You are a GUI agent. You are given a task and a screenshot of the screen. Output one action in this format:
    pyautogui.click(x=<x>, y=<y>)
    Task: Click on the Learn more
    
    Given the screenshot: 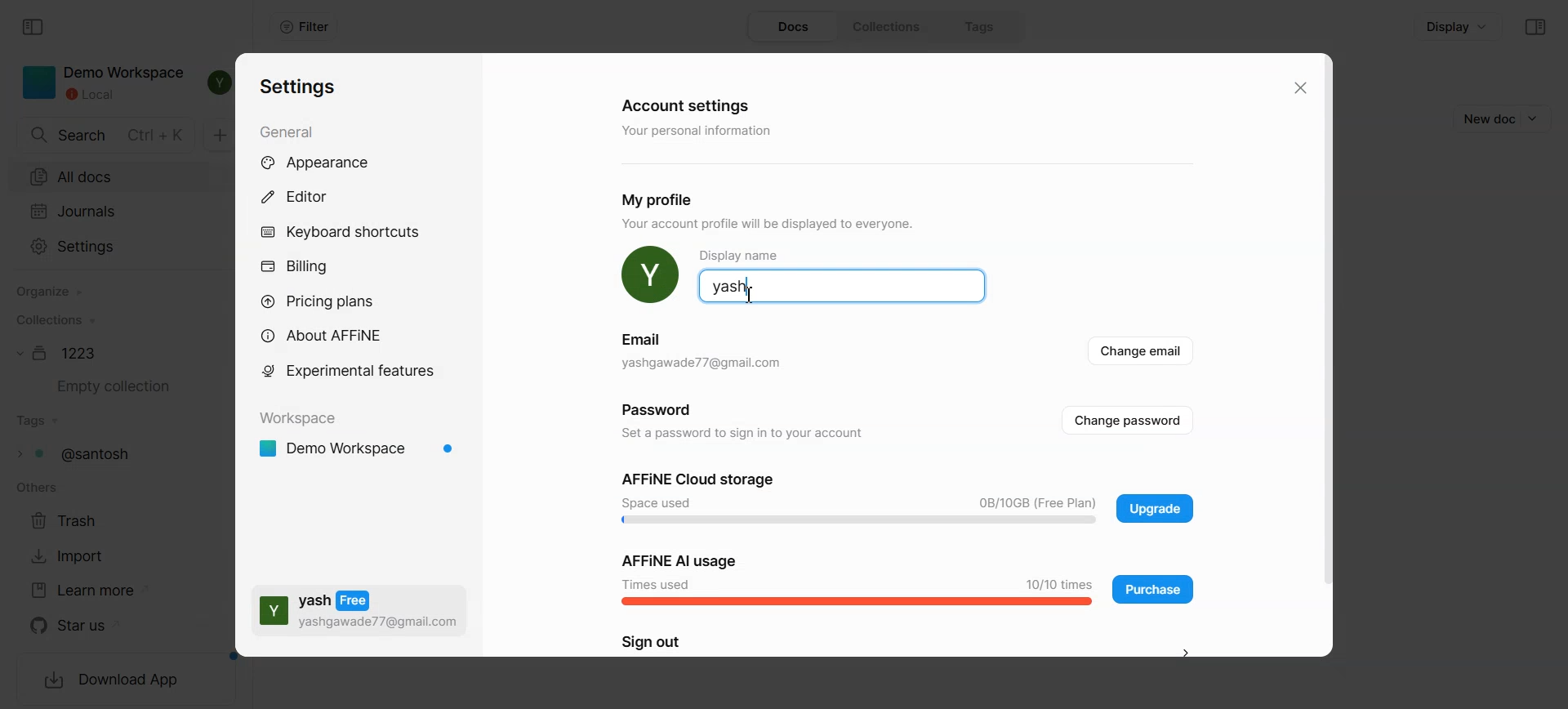 What is the action you would take?
    pyautogui.click(x=90, y=591)
    